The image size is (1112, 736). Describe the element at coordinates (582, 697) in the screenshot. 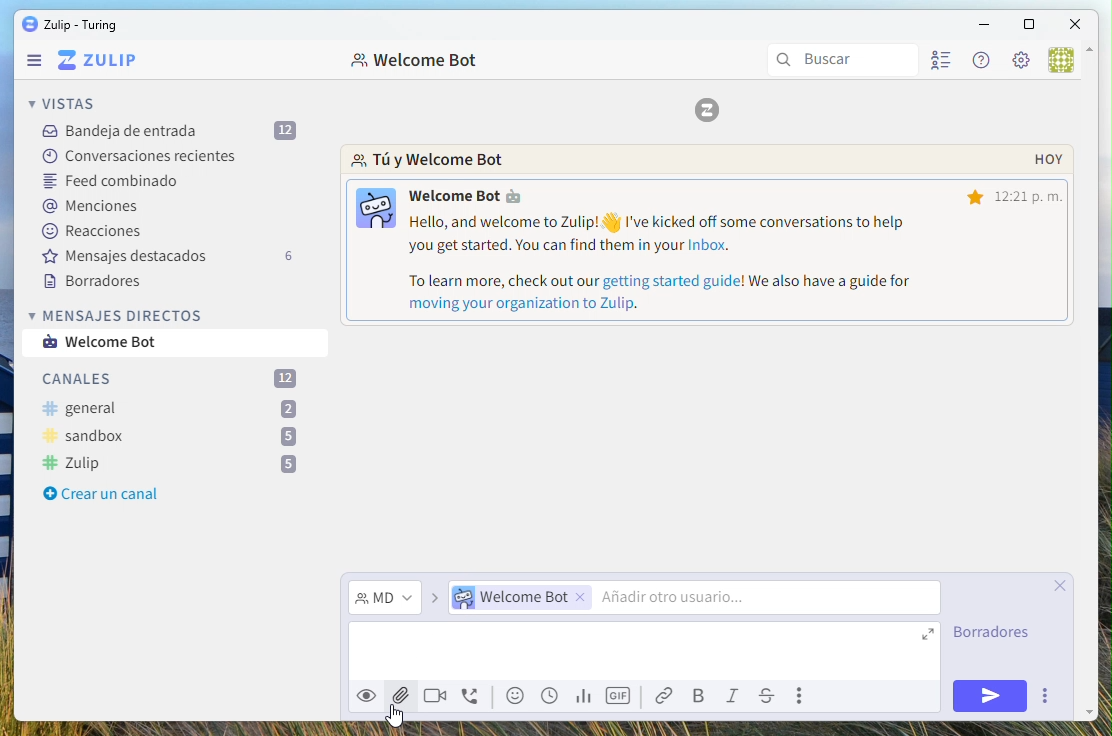

I see `stats` at that location.